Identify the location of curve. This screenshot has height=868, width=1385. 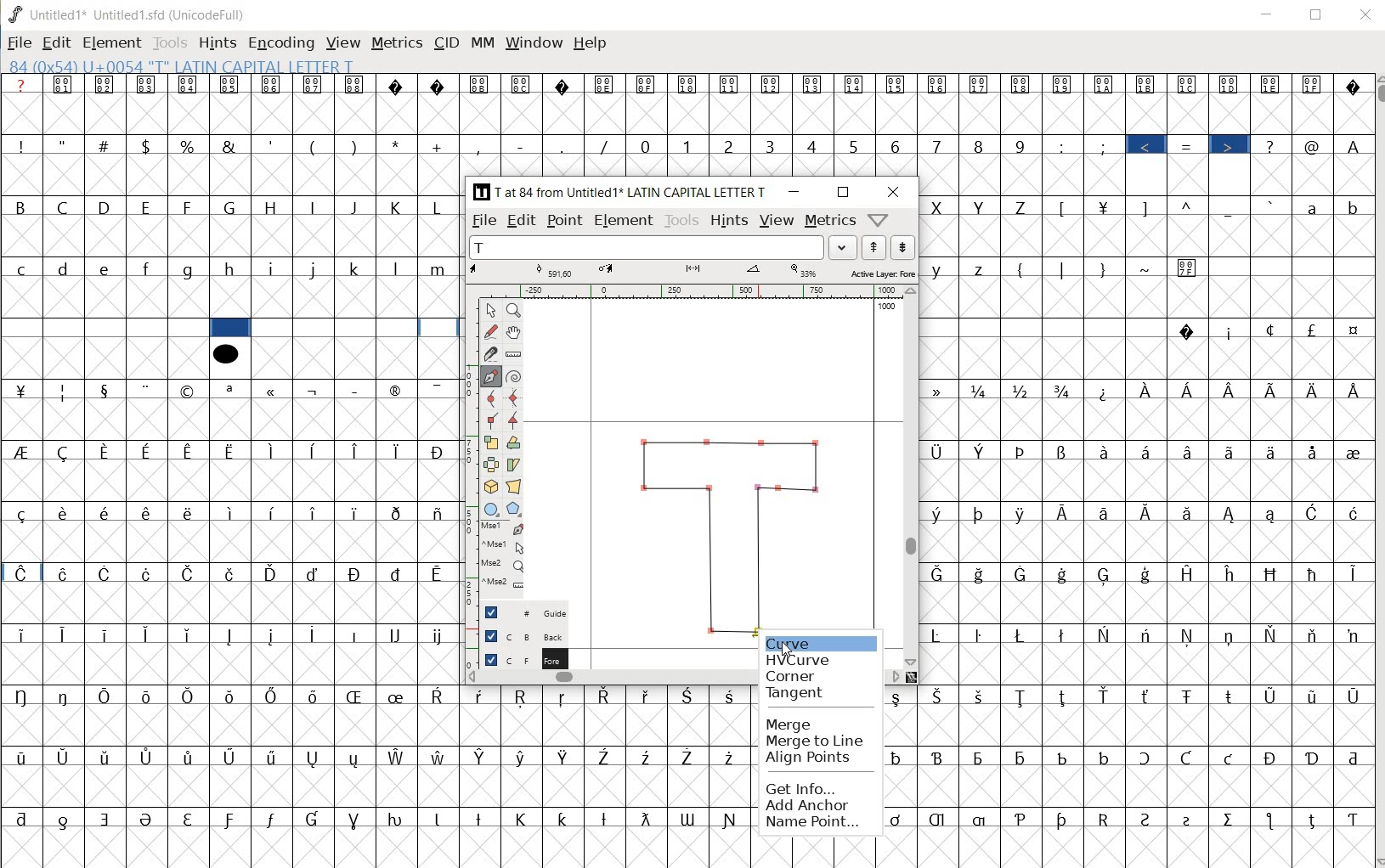
(490, 399).